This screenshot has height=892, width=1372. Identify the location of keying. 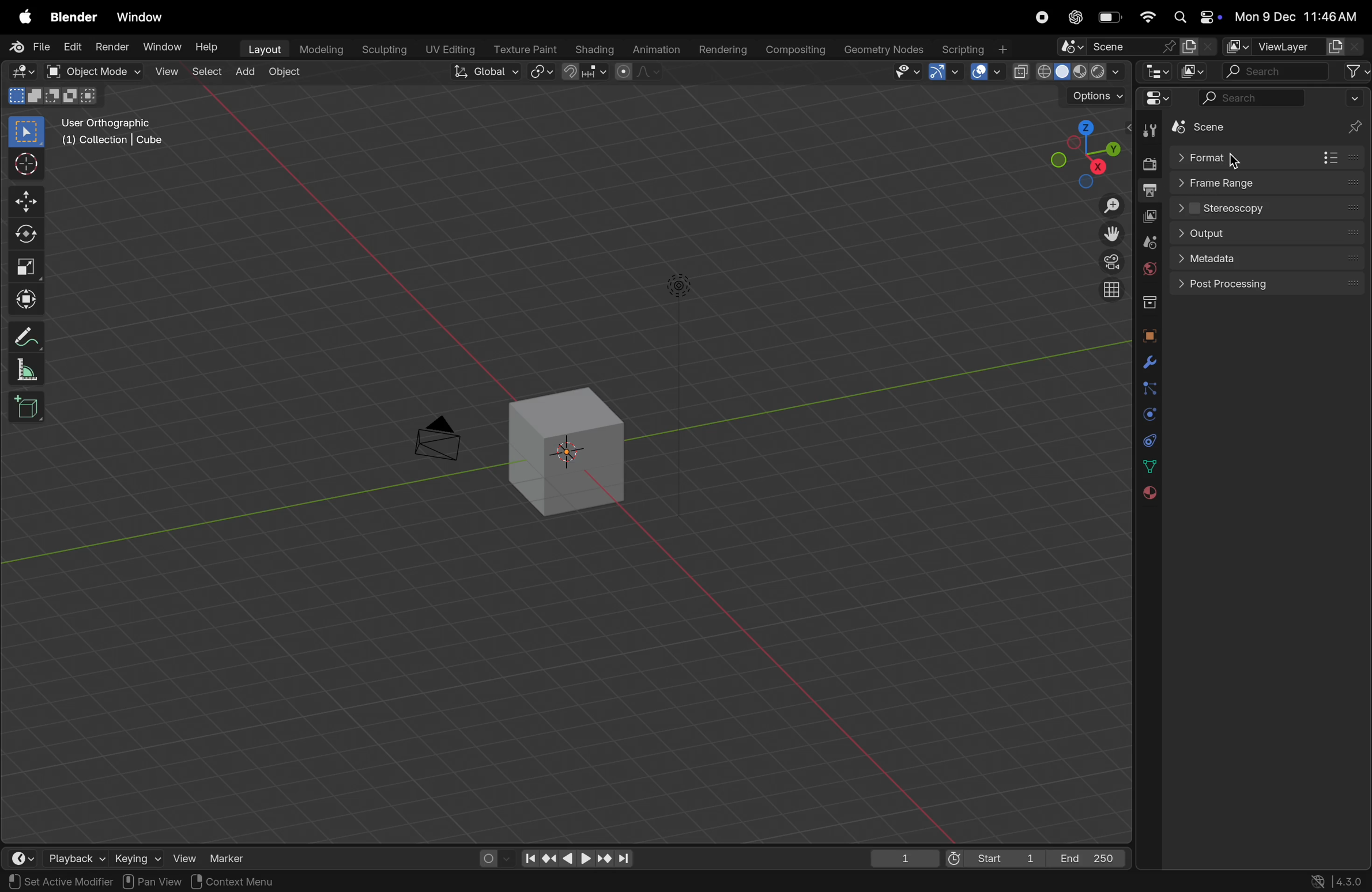
(137, 857).